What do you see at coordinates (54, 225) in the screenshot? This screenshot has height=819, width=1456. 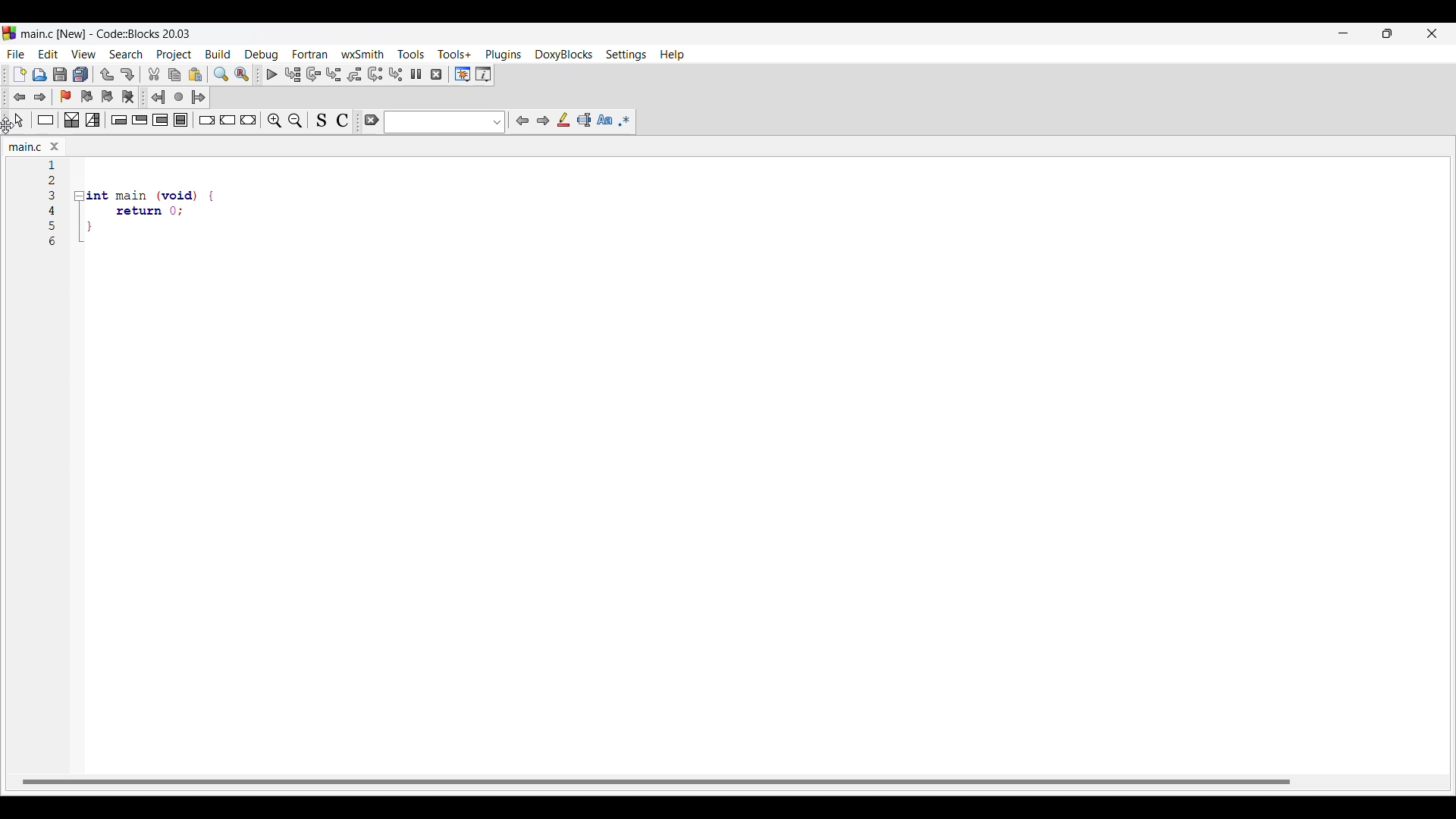 I see `` at bounding box center [54, 225].